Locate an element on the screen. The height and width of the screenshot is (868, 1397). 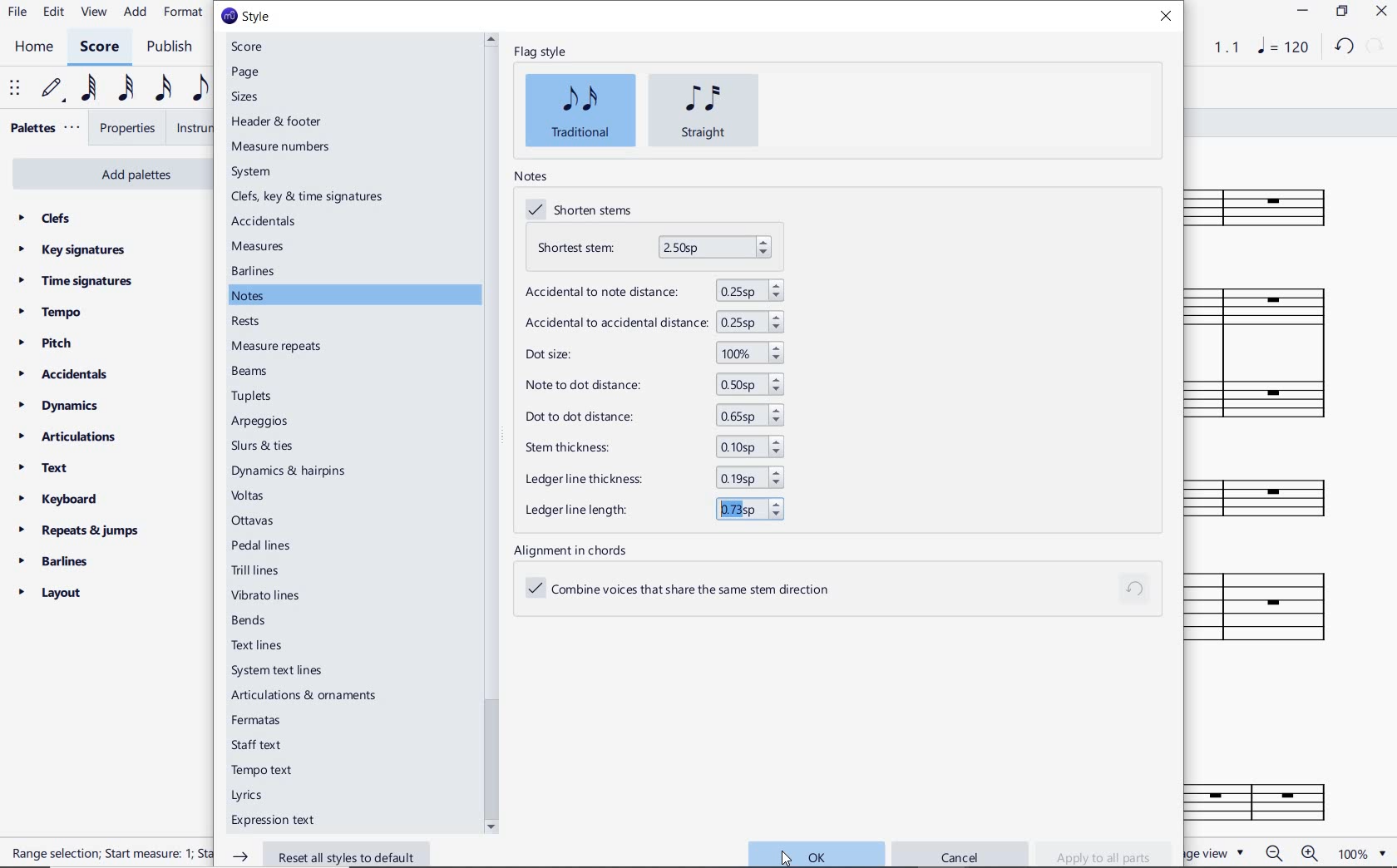
accidental to accidental distance is located at coordinates (653, 322).